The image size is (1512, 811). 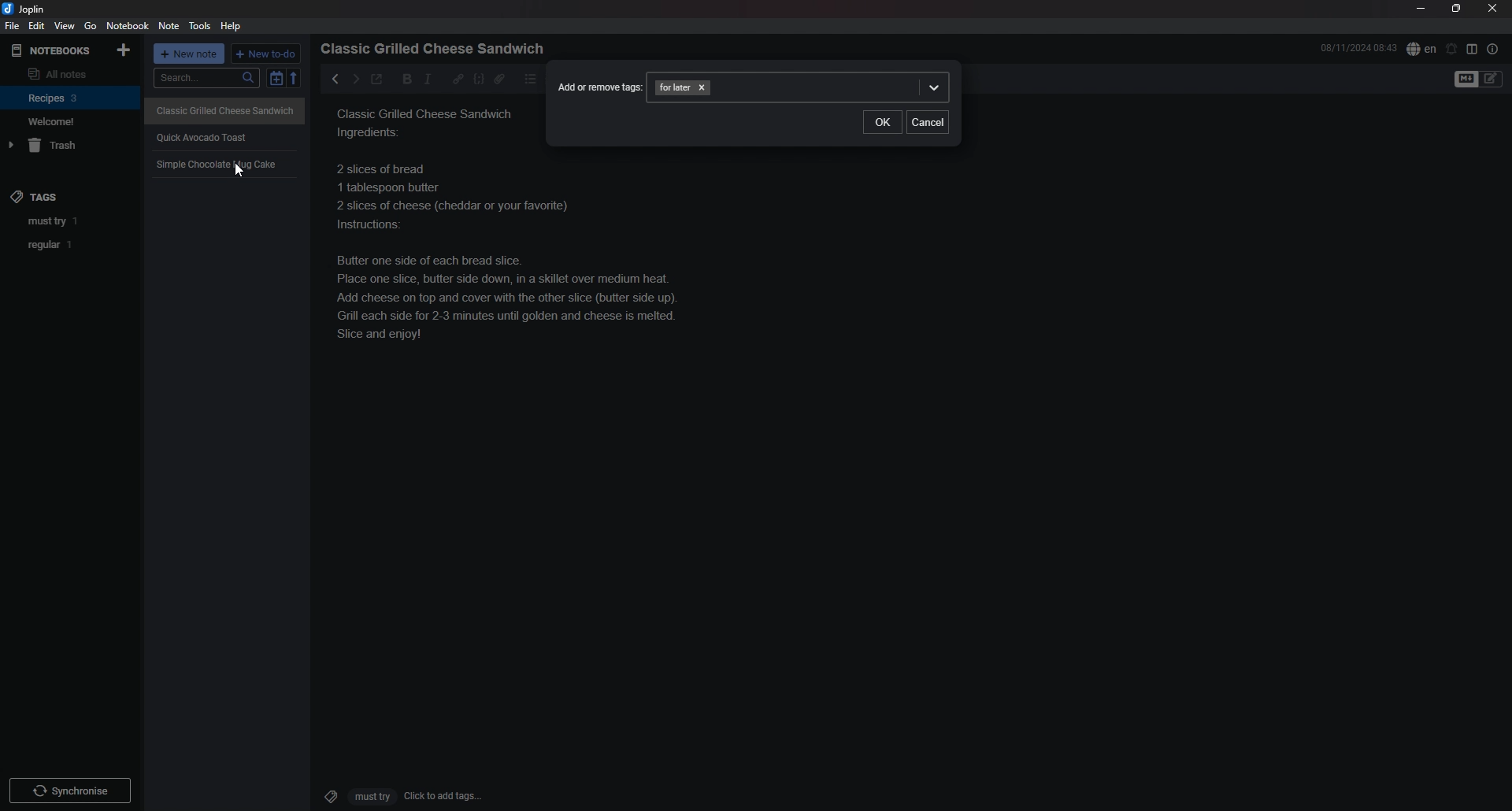 What do you see at coordinates (239, 171) in the screenshot?
I see `cursor` at bounding box center [239, 171].